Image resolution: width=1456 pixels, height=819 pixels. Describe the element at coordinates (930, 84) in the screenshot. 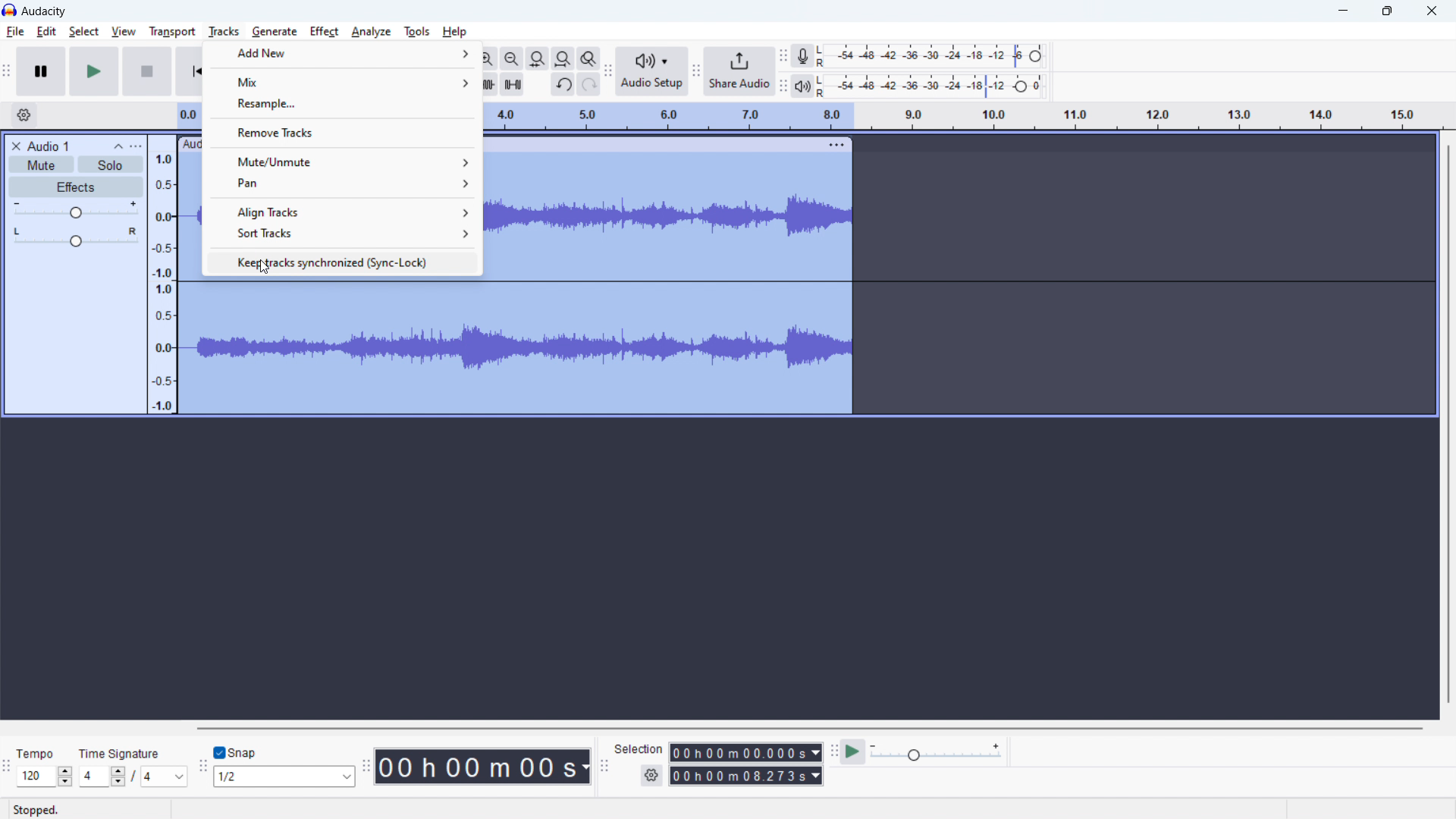

I see `playback level` at that location.